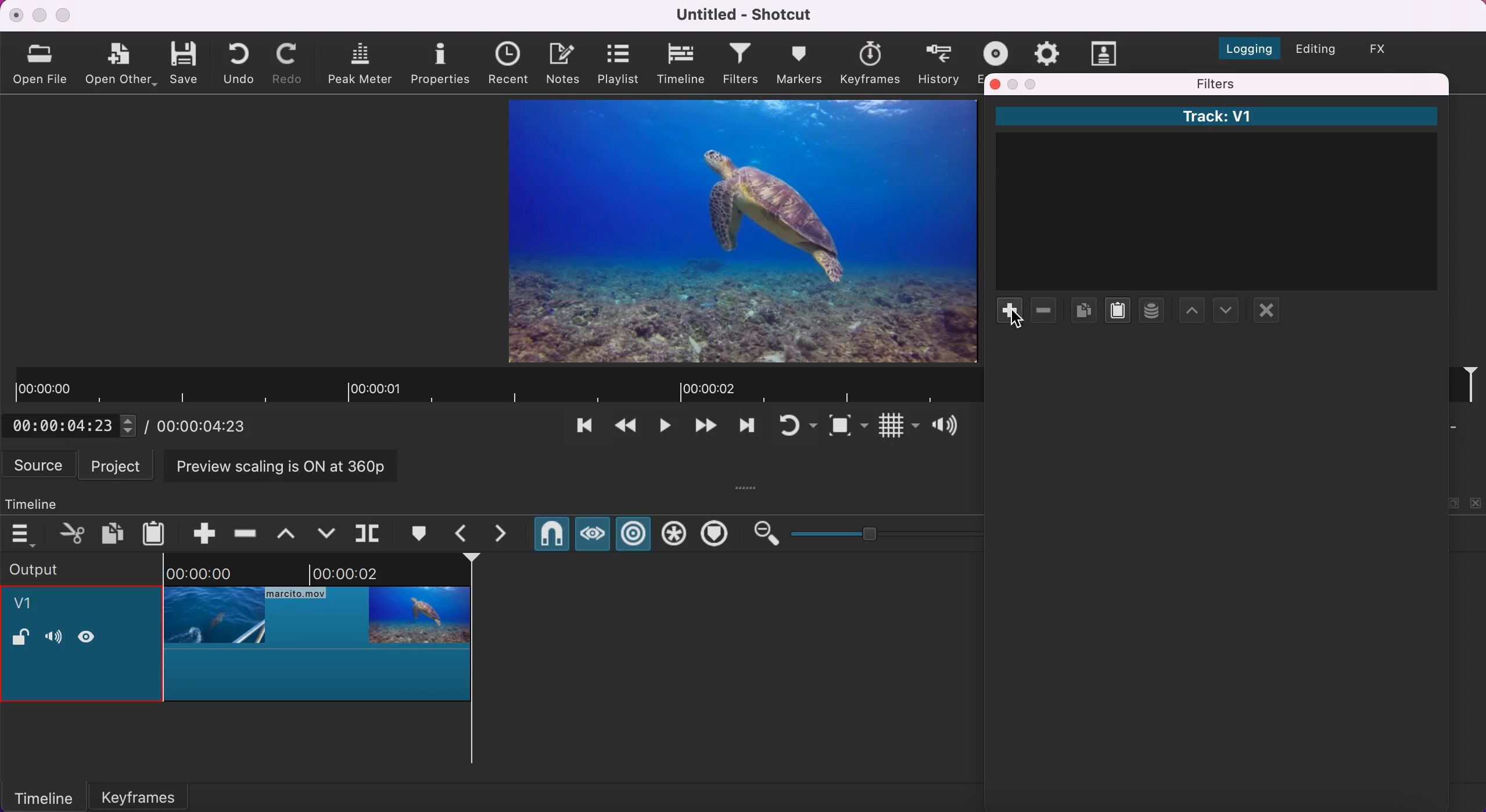 This screenshot has width=1486, height=812. Describe the element at coordinates (1084, 312) in the screenshot. I see `copy checked filters` at that location.